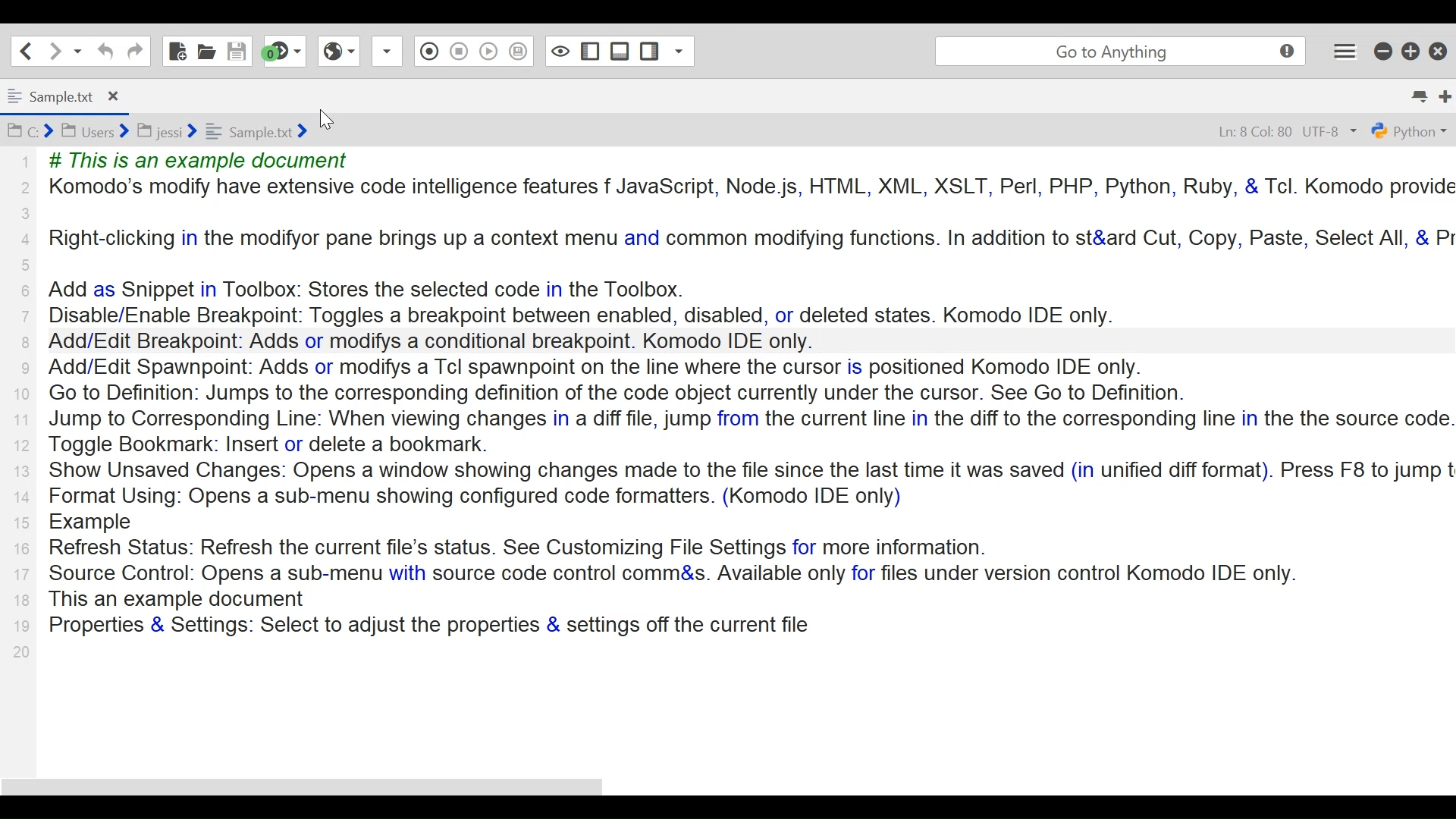 Image resolution: width=1456 pixels, height=819 pixels. I want to click on Share File, so click(78, 50).